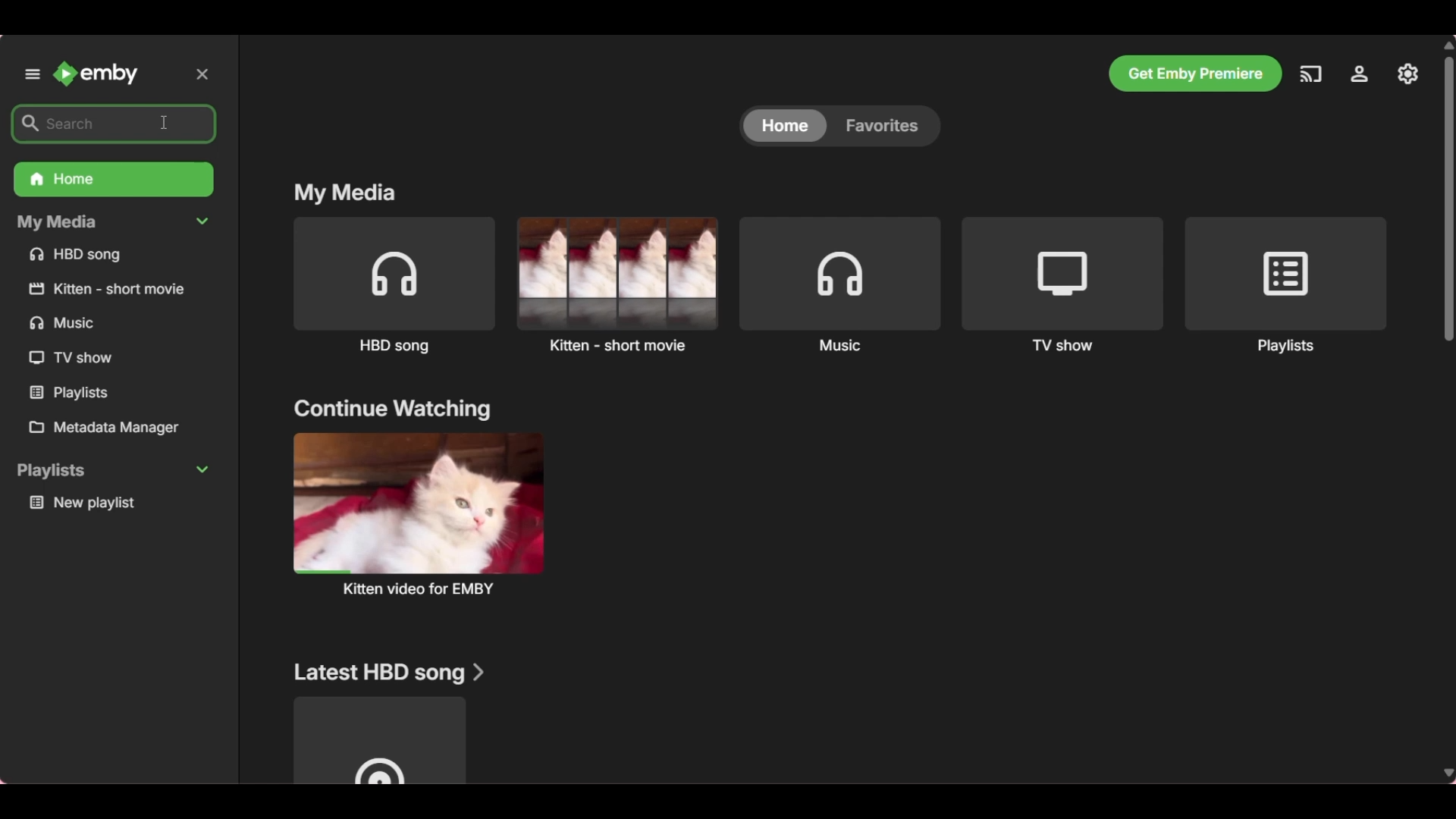 Image resolution: width=1456 pixels, height=819 pixels. Describe the element at coordinates (1285, 286) in the screenshot. I see `Playlists` at that location.